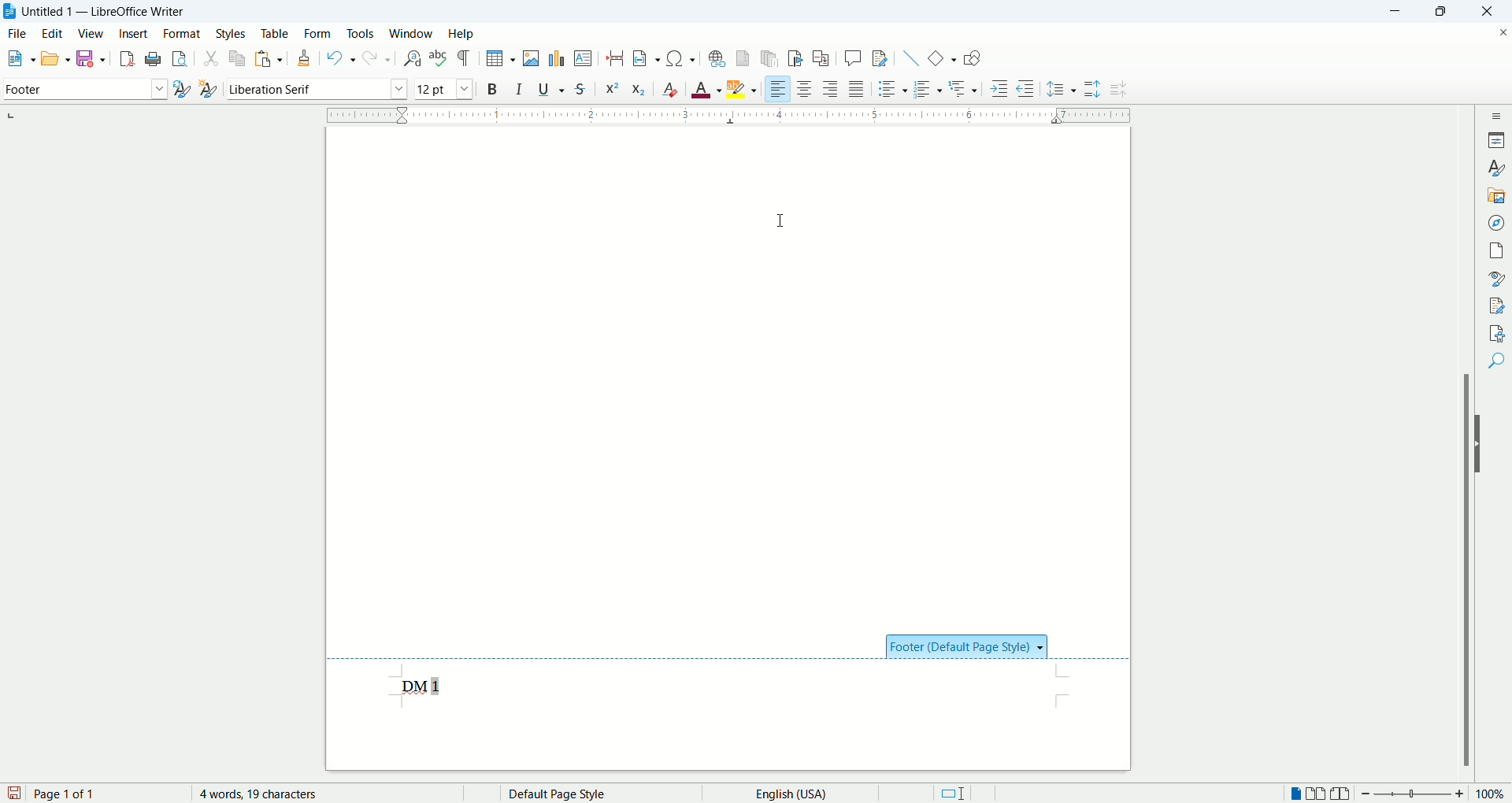  Describe the element at coordinates (853, 57) in the screenshot. I see `insert comment` at that location.